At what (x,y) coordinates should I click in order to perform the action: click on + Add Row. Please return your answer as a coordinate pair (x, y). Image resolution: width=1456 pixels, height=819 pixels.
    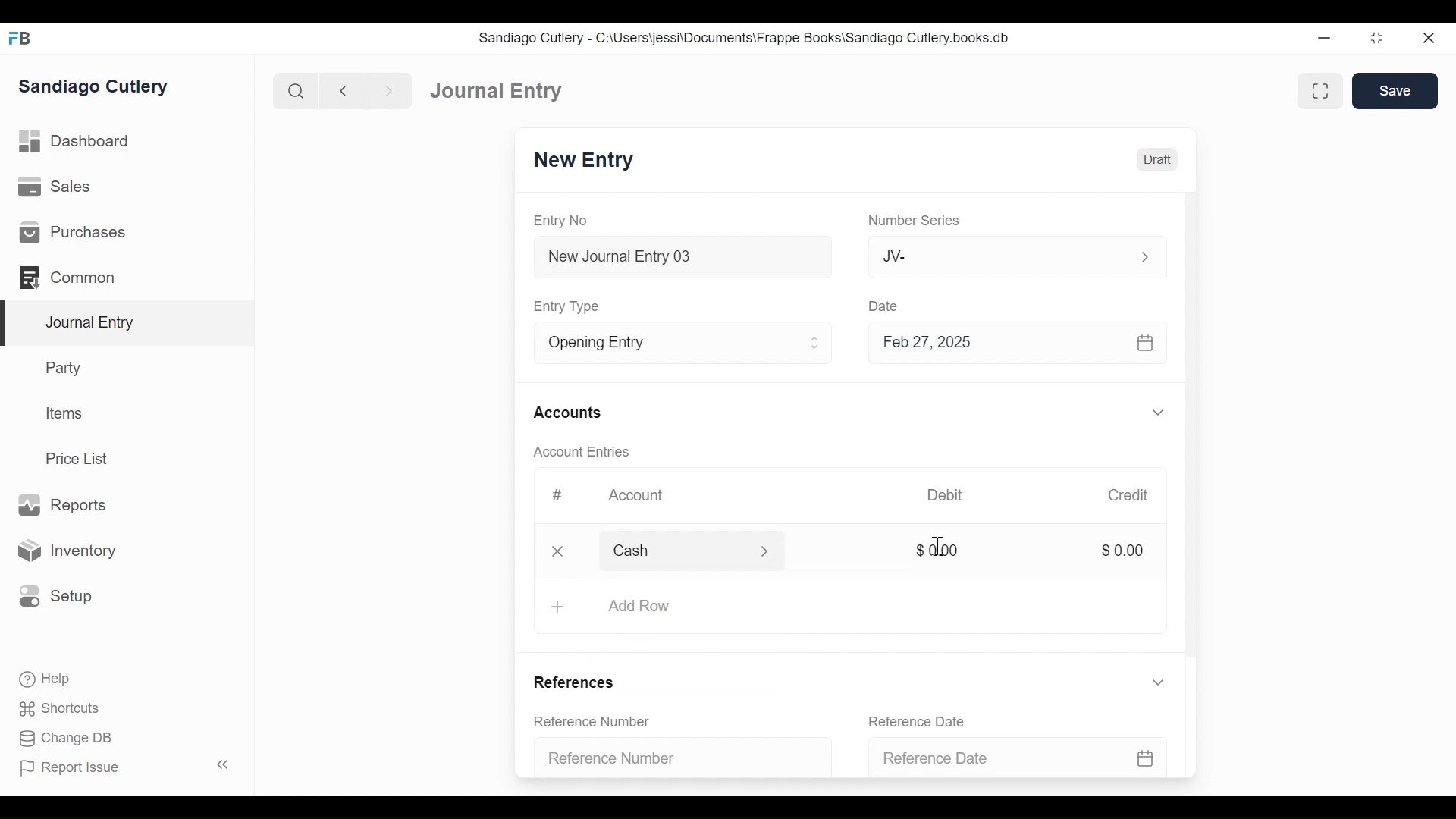
    Looking at the image, I should click on (615, 607).